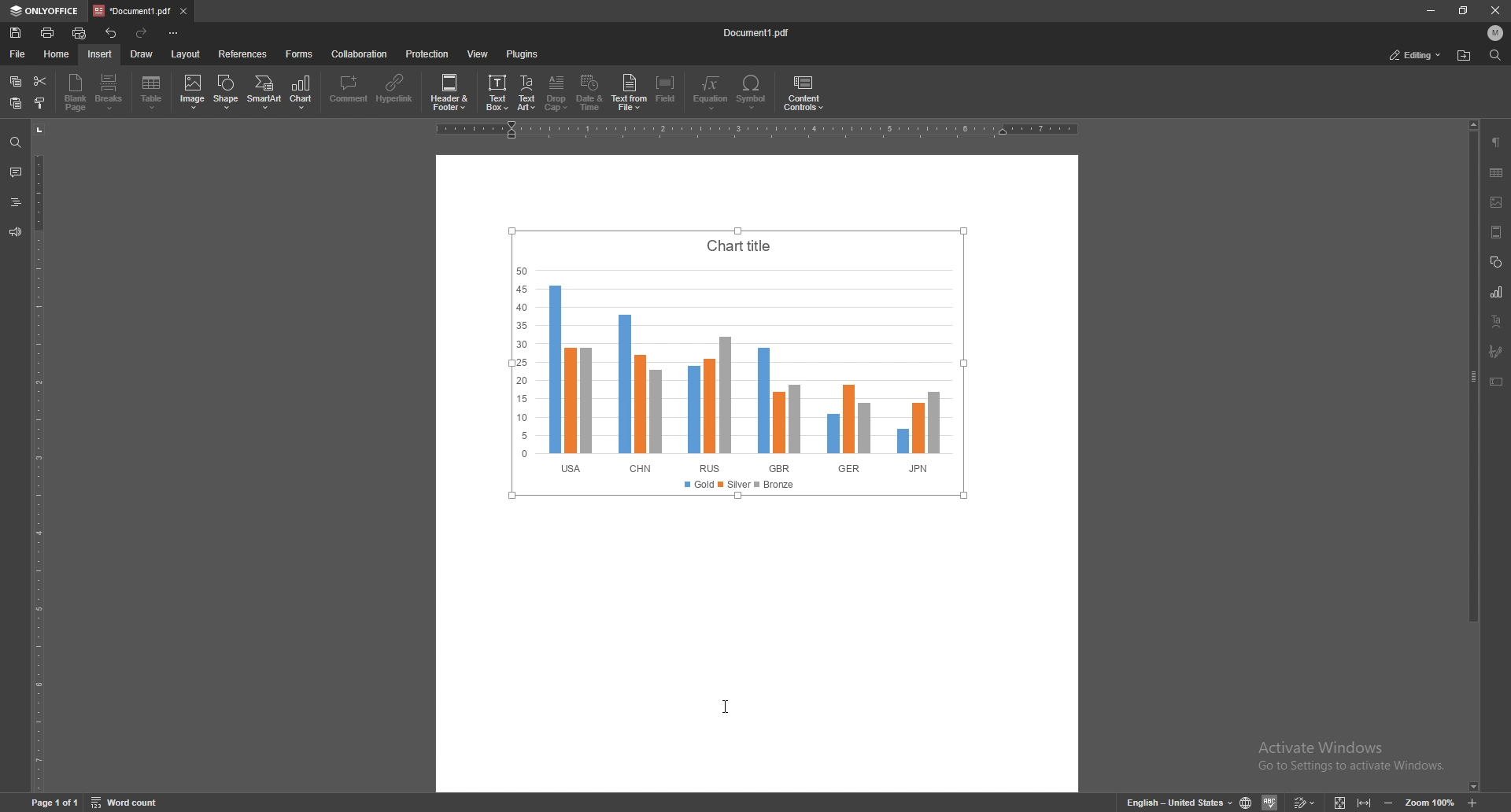 The image size is (1511, 812). I want to click on tab, so click(131, 10).